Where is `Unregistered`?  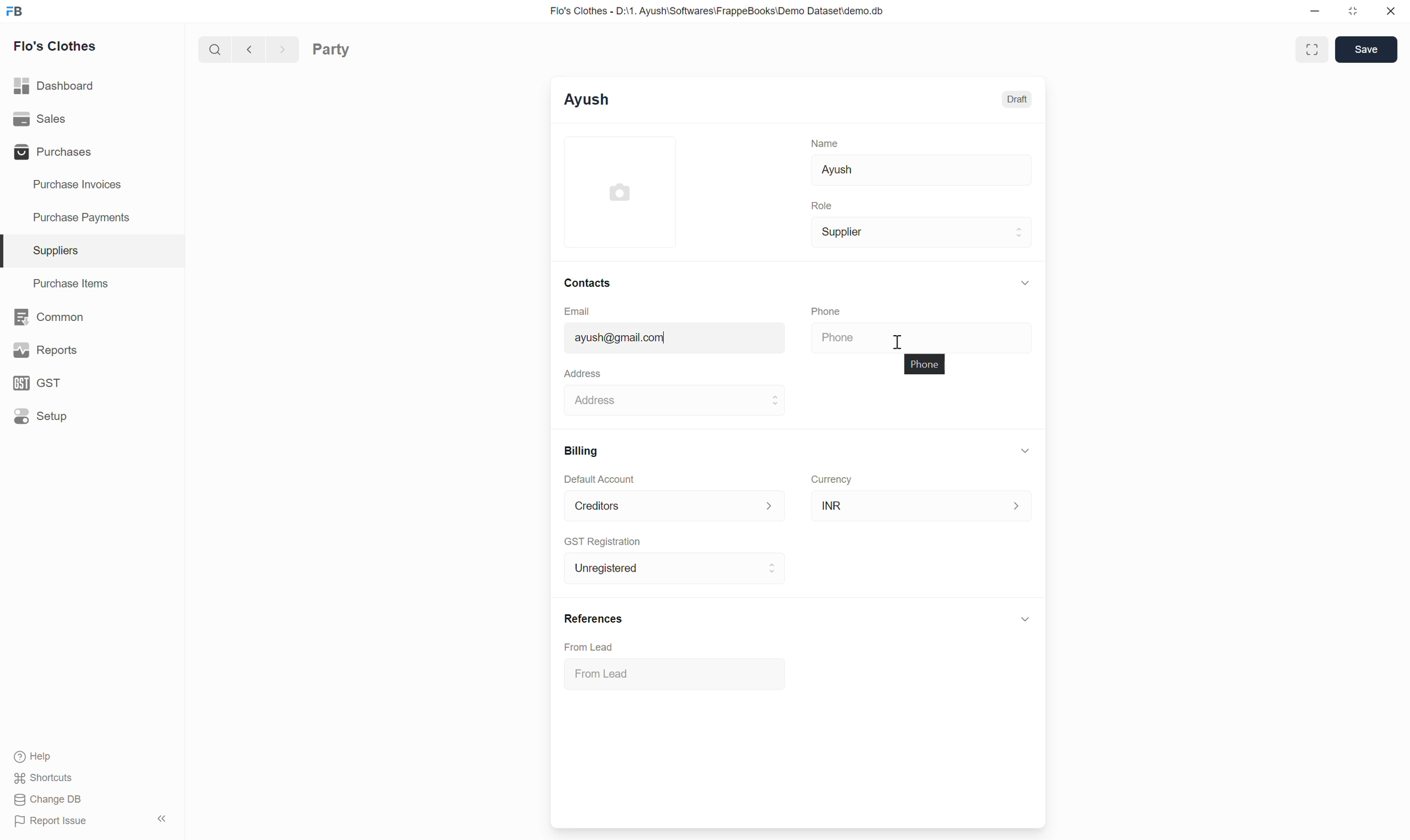
Unregistered is located at coordinates (675, 568).